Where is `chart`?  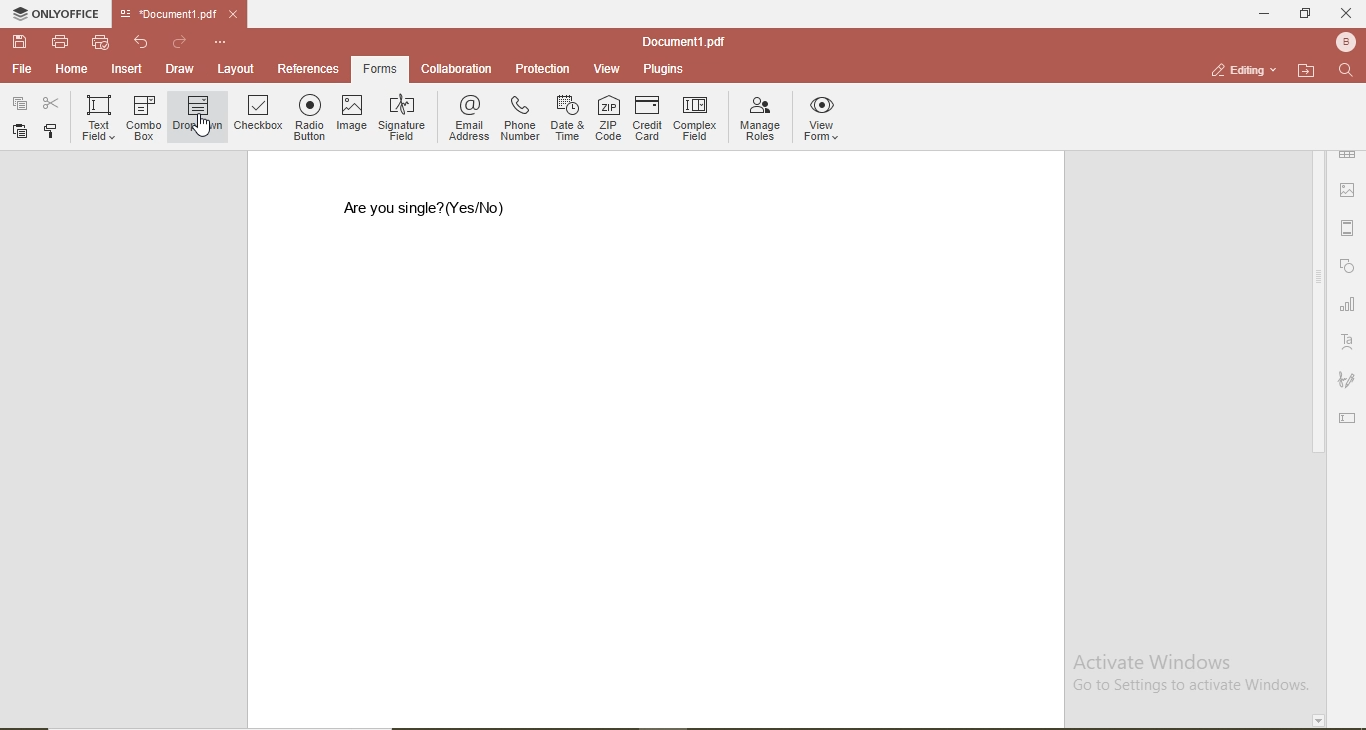
chart is located at coordinates (1348, 304).